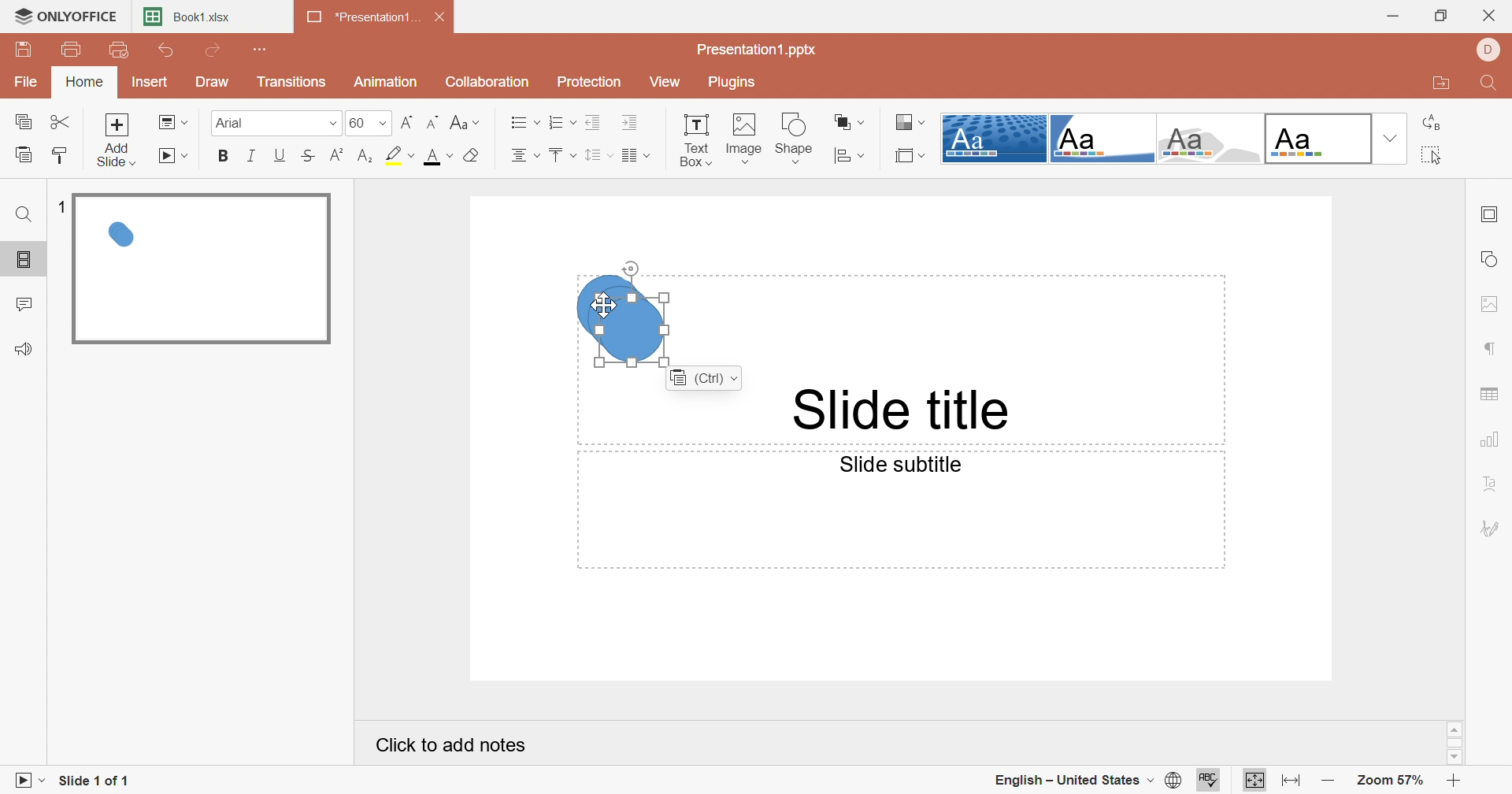  Describe the element at coordinates (435, 121) in the screenshot. I see `Decrement font size` at that location.